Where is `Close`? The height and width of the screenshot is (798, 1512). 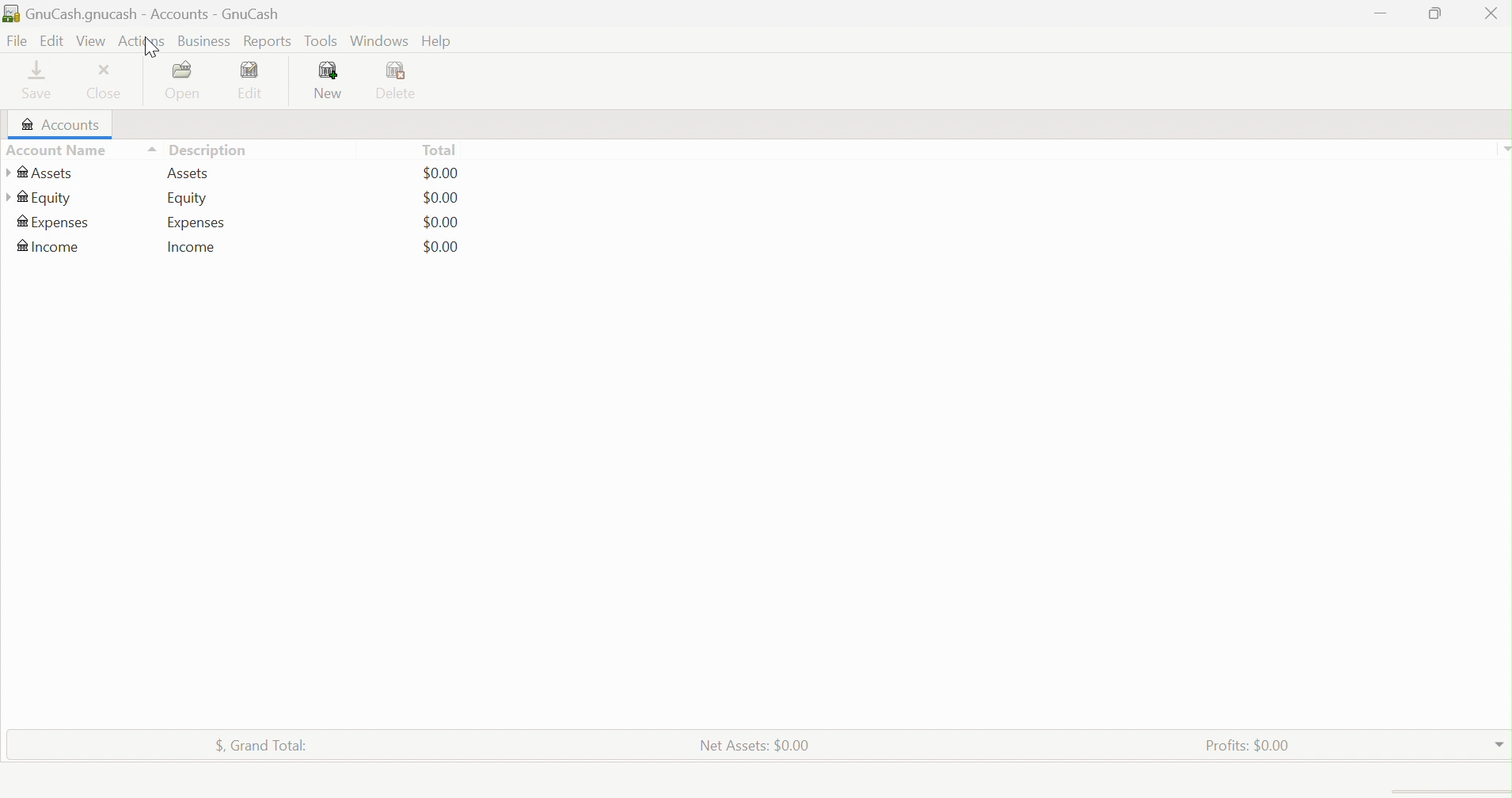
Close is located at coordinates (1491, 16).